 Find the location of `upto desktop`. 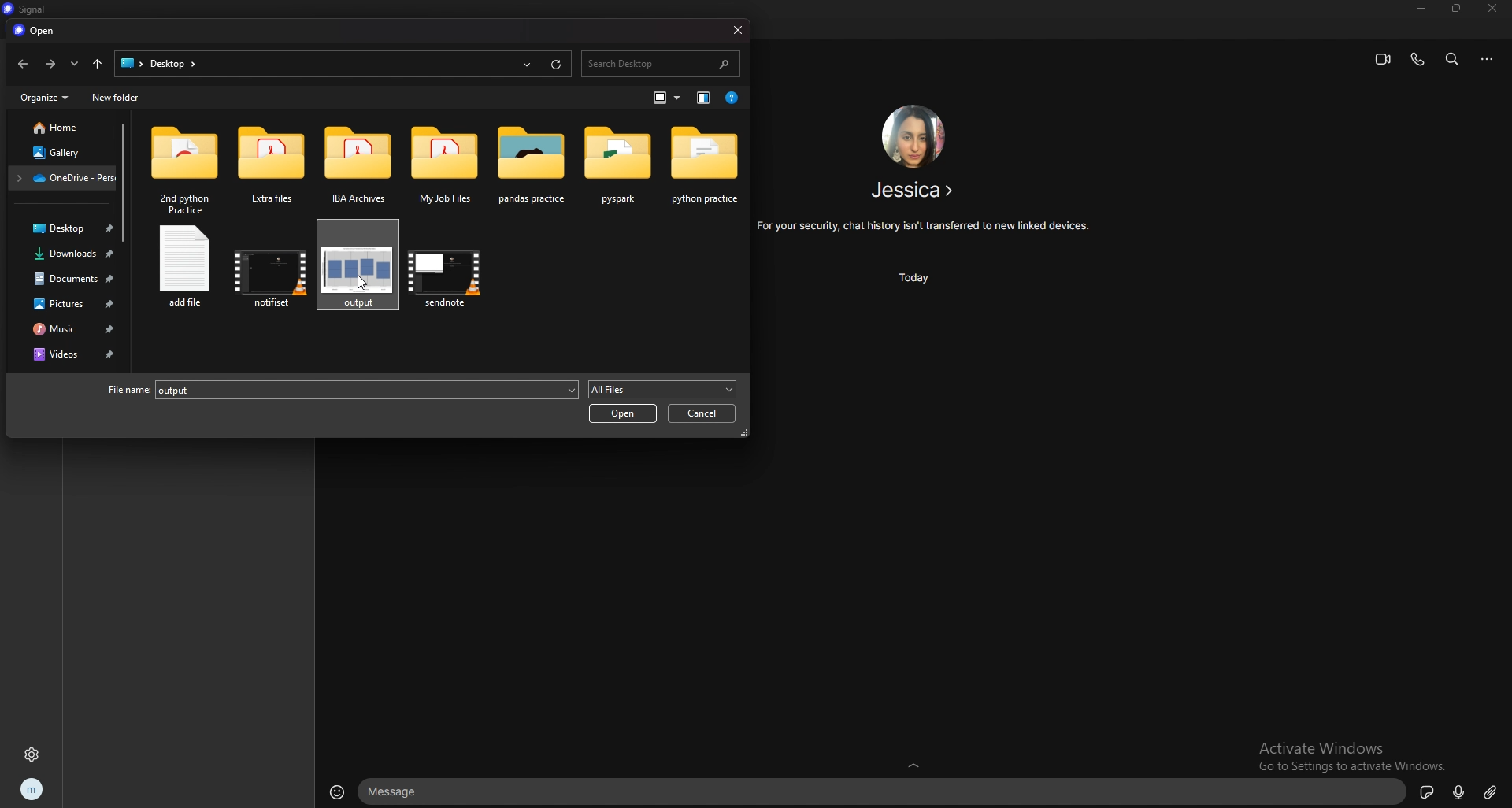

upto desktop is located at coordinates (98, 65).